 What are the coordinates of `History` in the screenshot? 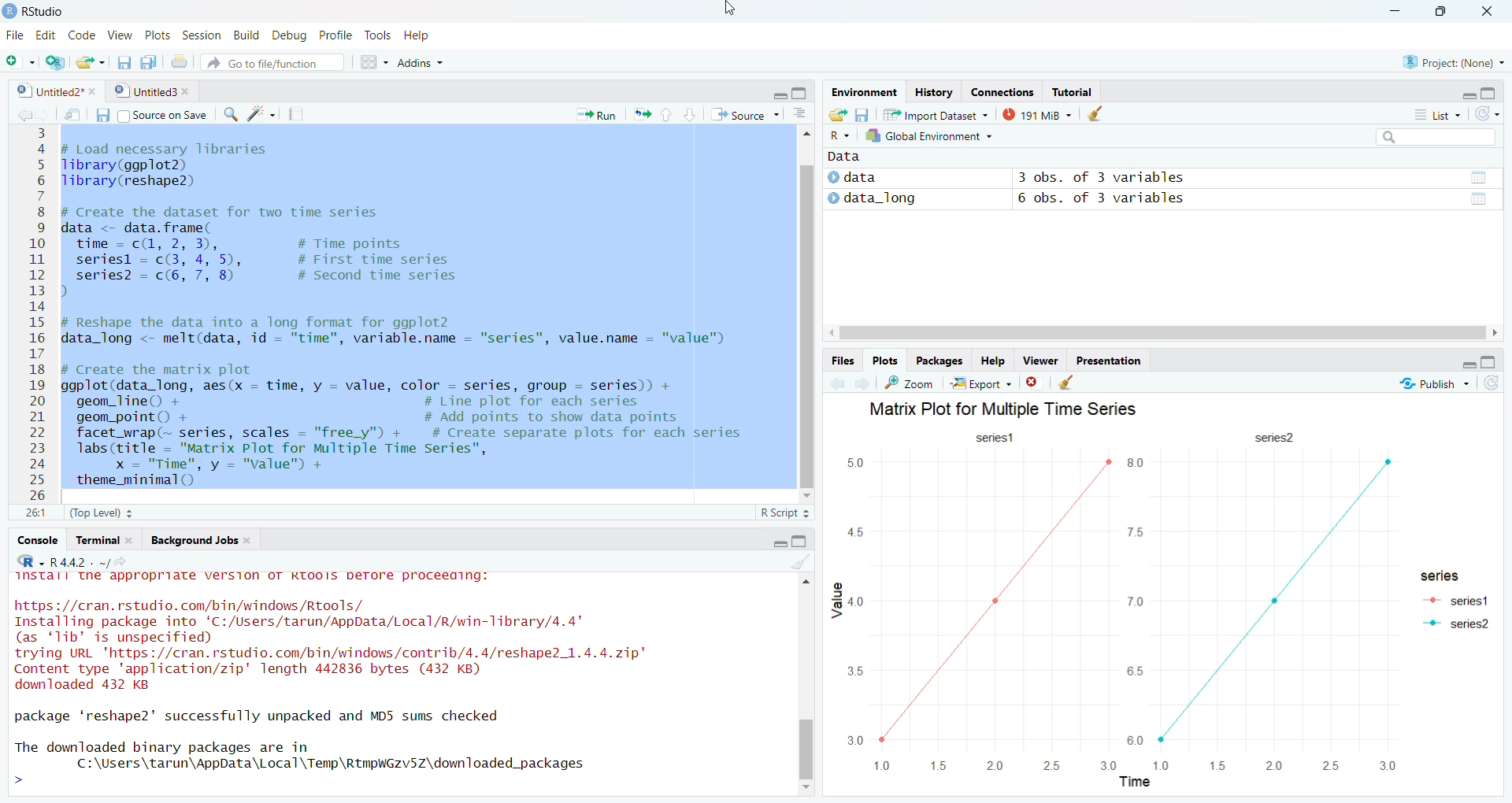 It's located at (933, 93).